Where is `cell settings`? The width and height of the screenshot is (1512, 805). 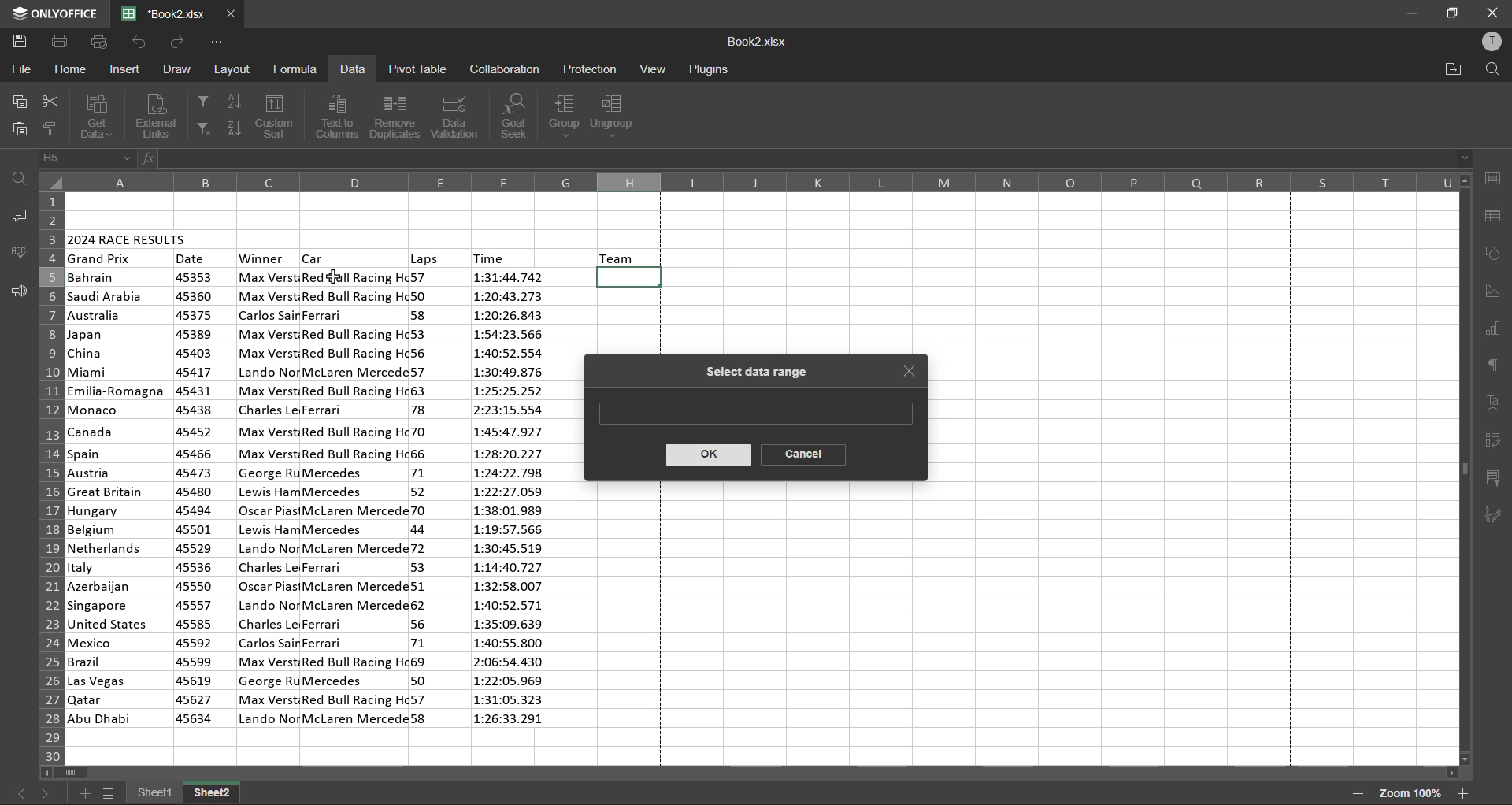
cell settings is located at coordinates (1492, 178).